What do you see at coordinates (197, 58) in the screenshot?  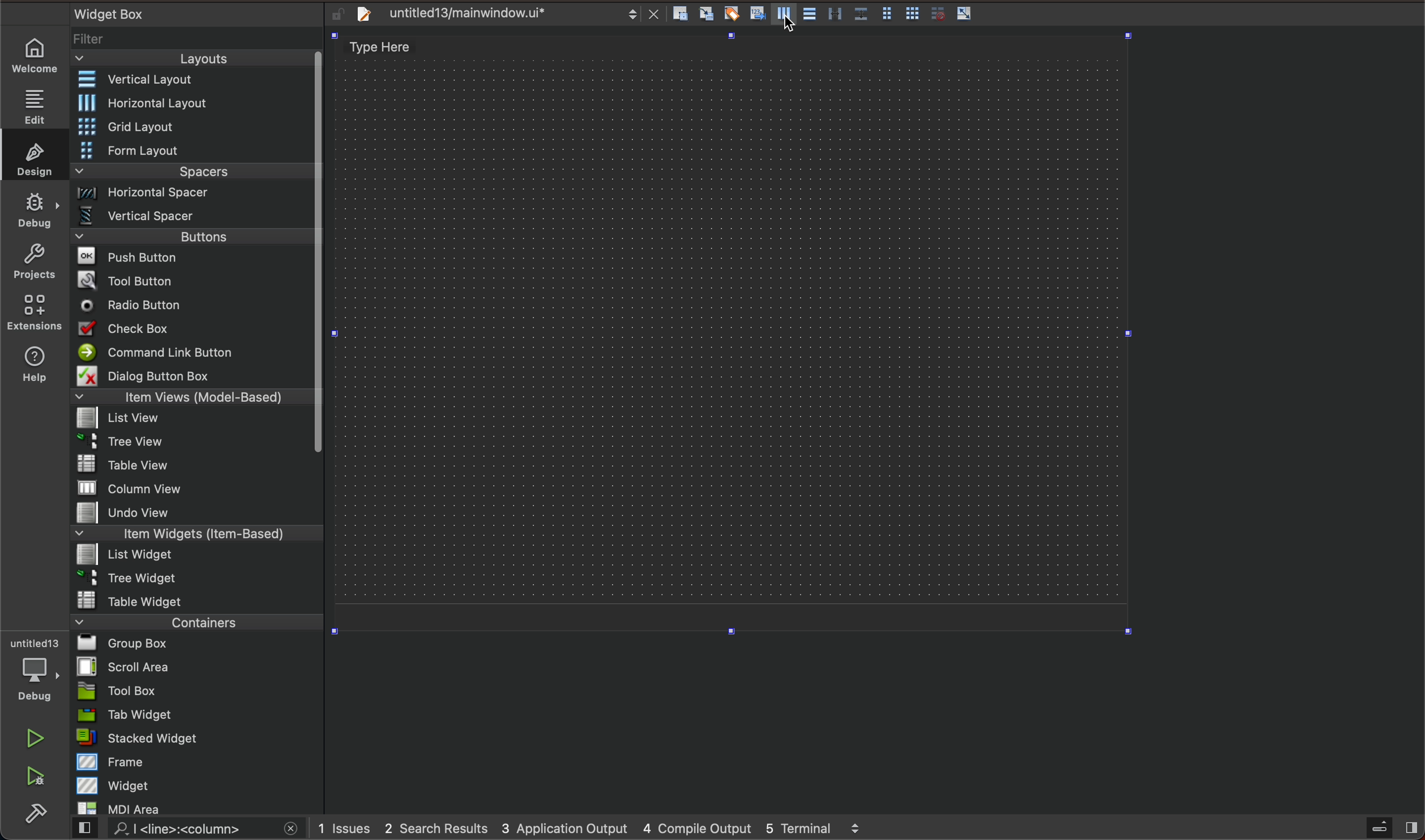 I see `layouts` at bounding box center [197, 58].